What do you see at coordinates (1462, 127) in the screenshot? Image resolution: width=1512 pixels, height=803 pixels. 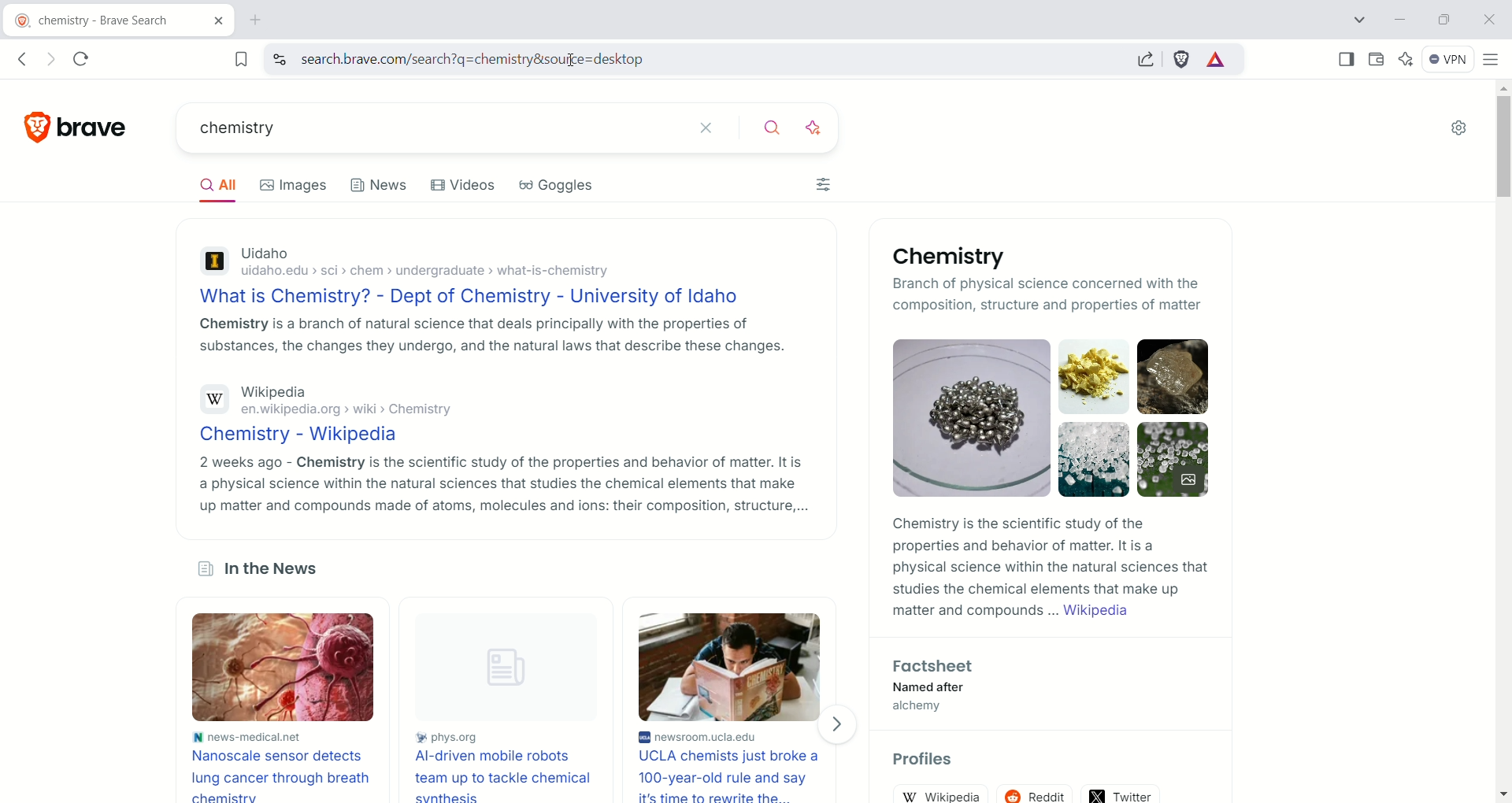 I see `settings` at bounding box center [1462, 127].